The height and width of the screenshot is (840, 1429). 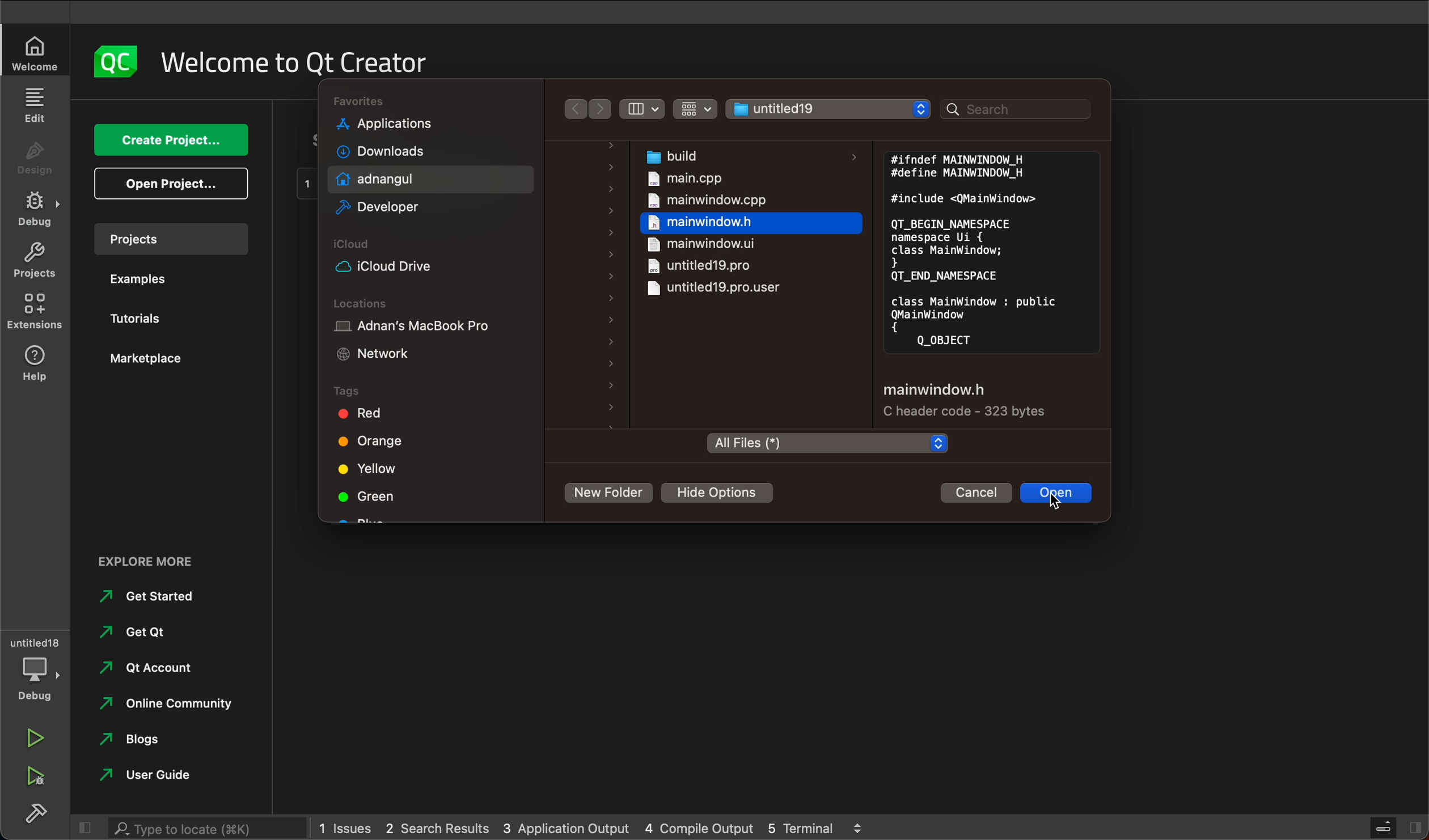 I want to click on logo, so click(x=119, y=60).